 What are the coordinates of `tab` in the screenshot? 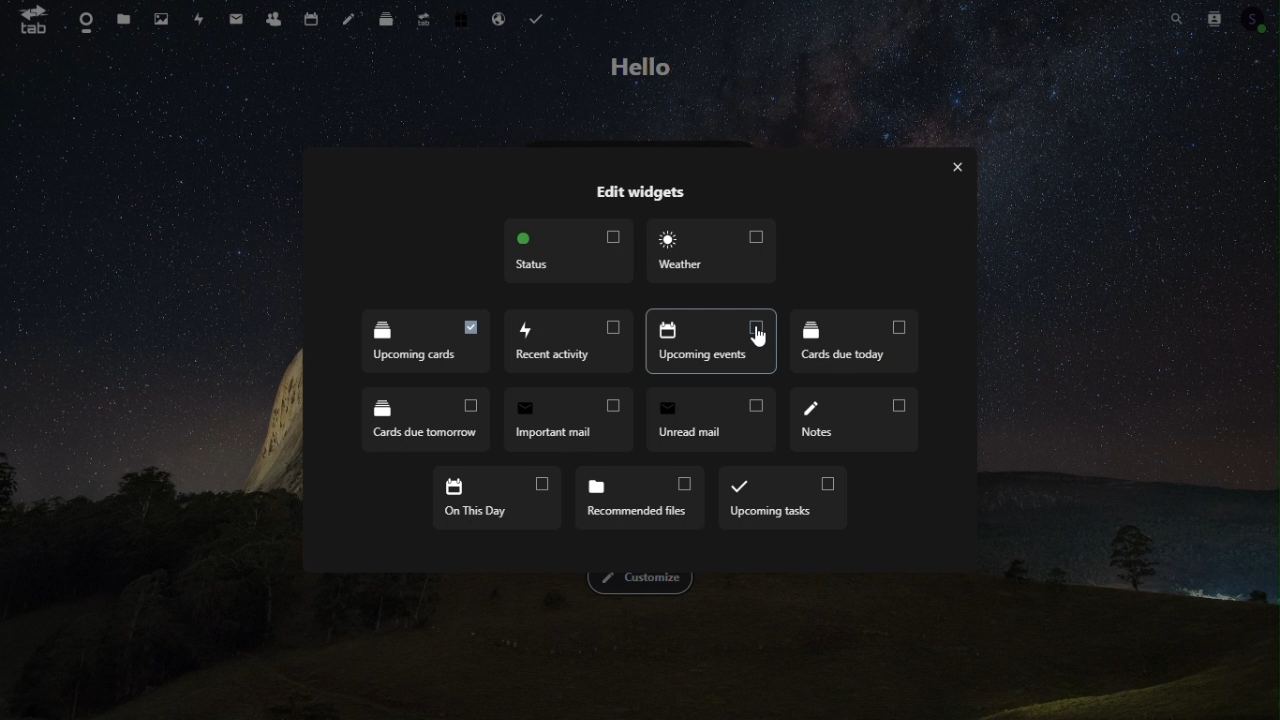 It's located at (30, 20).